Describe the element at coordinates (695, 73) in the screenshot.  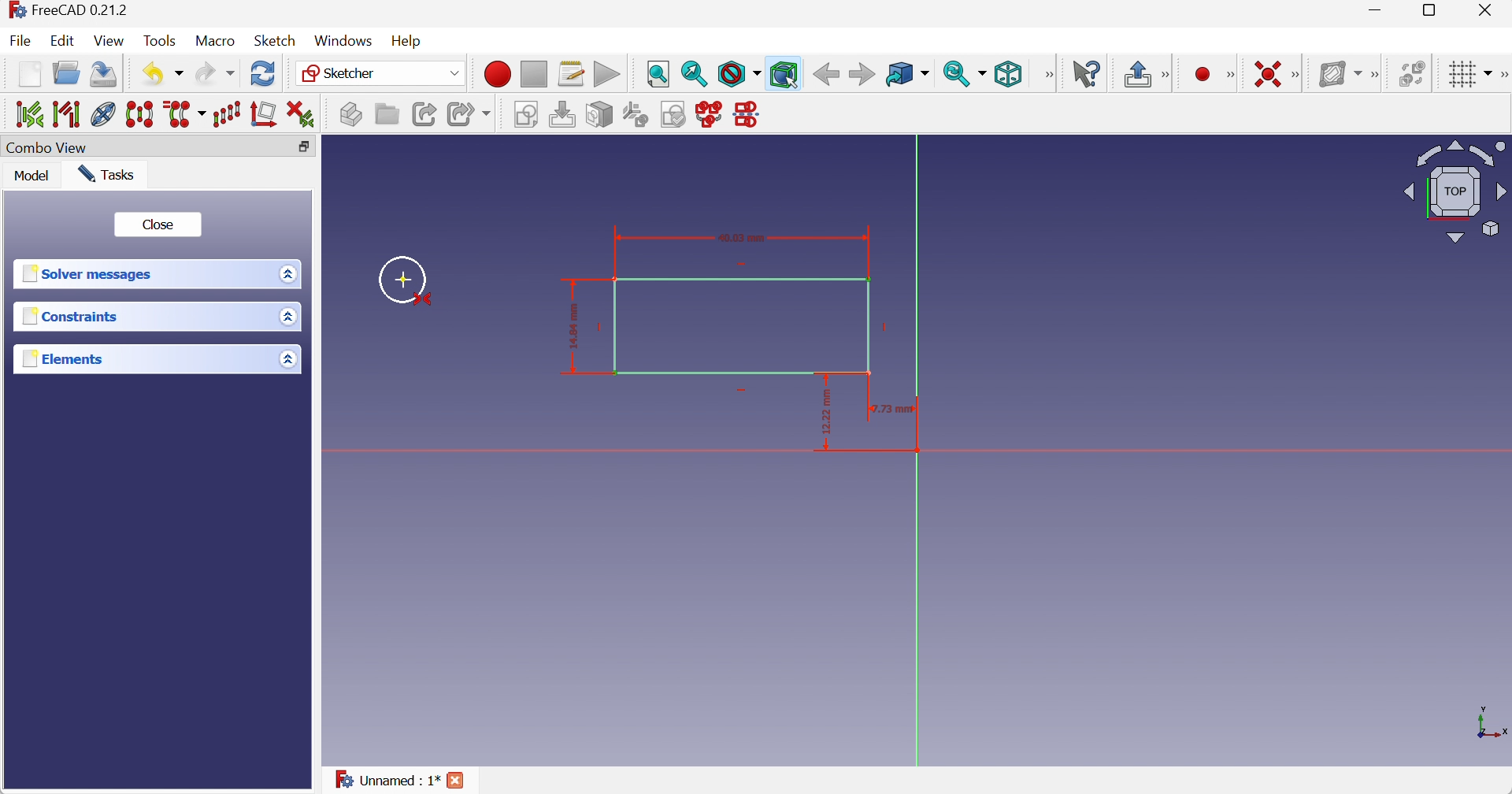
I see `Fit selection ` at that location.